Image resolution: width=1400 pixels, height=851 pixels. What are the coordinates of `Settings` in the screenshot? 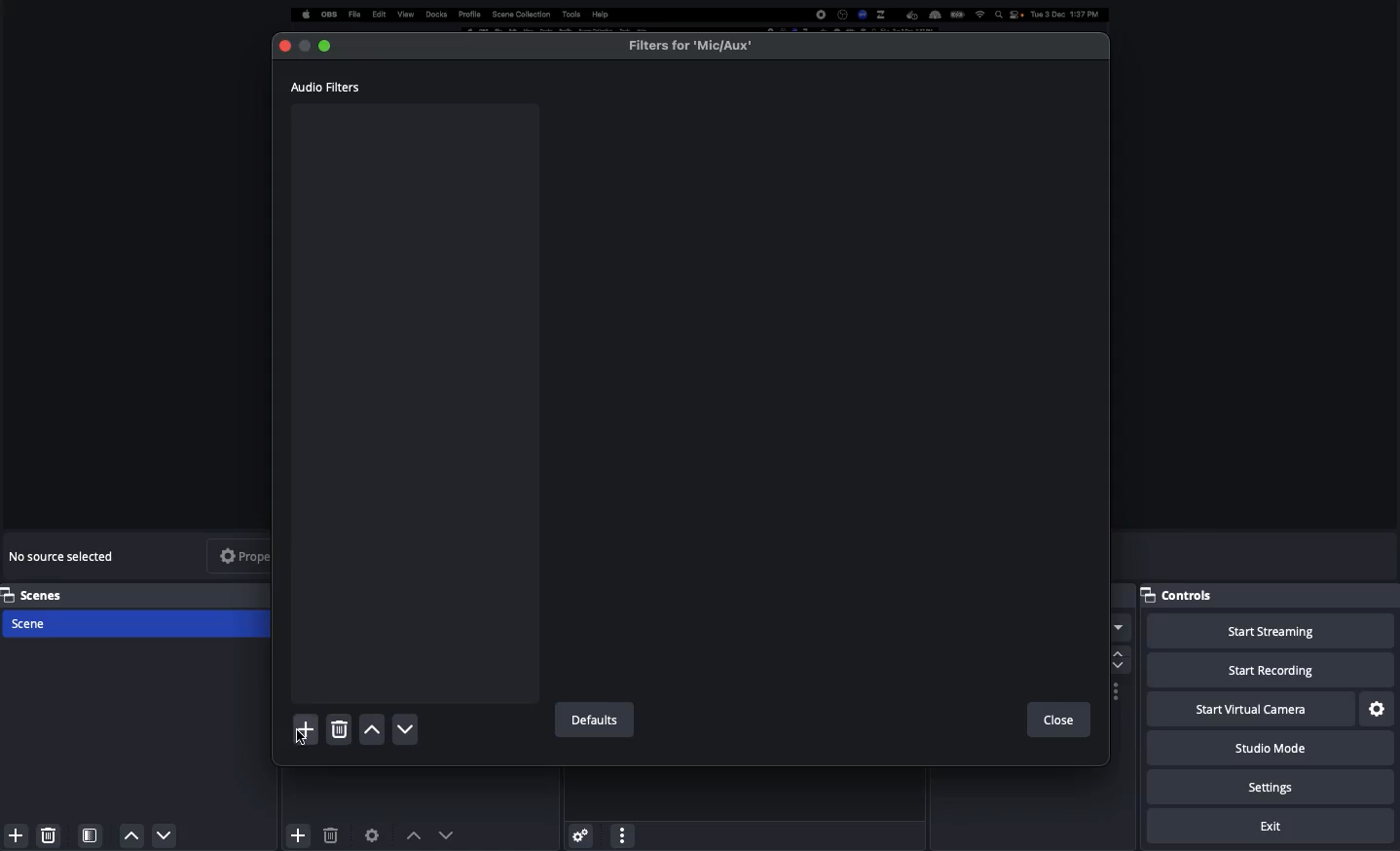 It's located at (1378, 708).